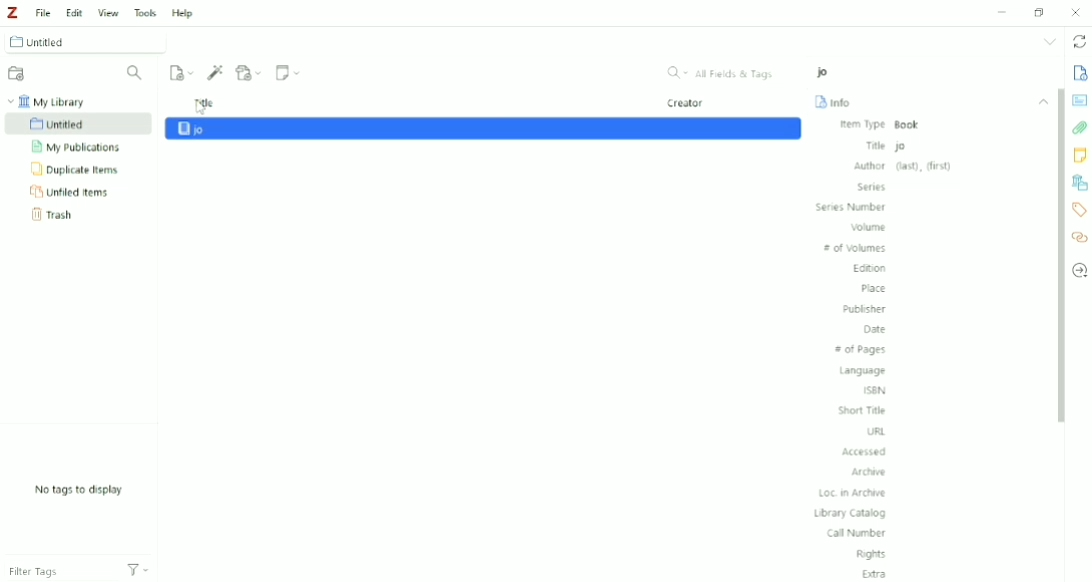  Describe the element at coordinates (873, 554) in the screenshot. I see `Rights` at that location.